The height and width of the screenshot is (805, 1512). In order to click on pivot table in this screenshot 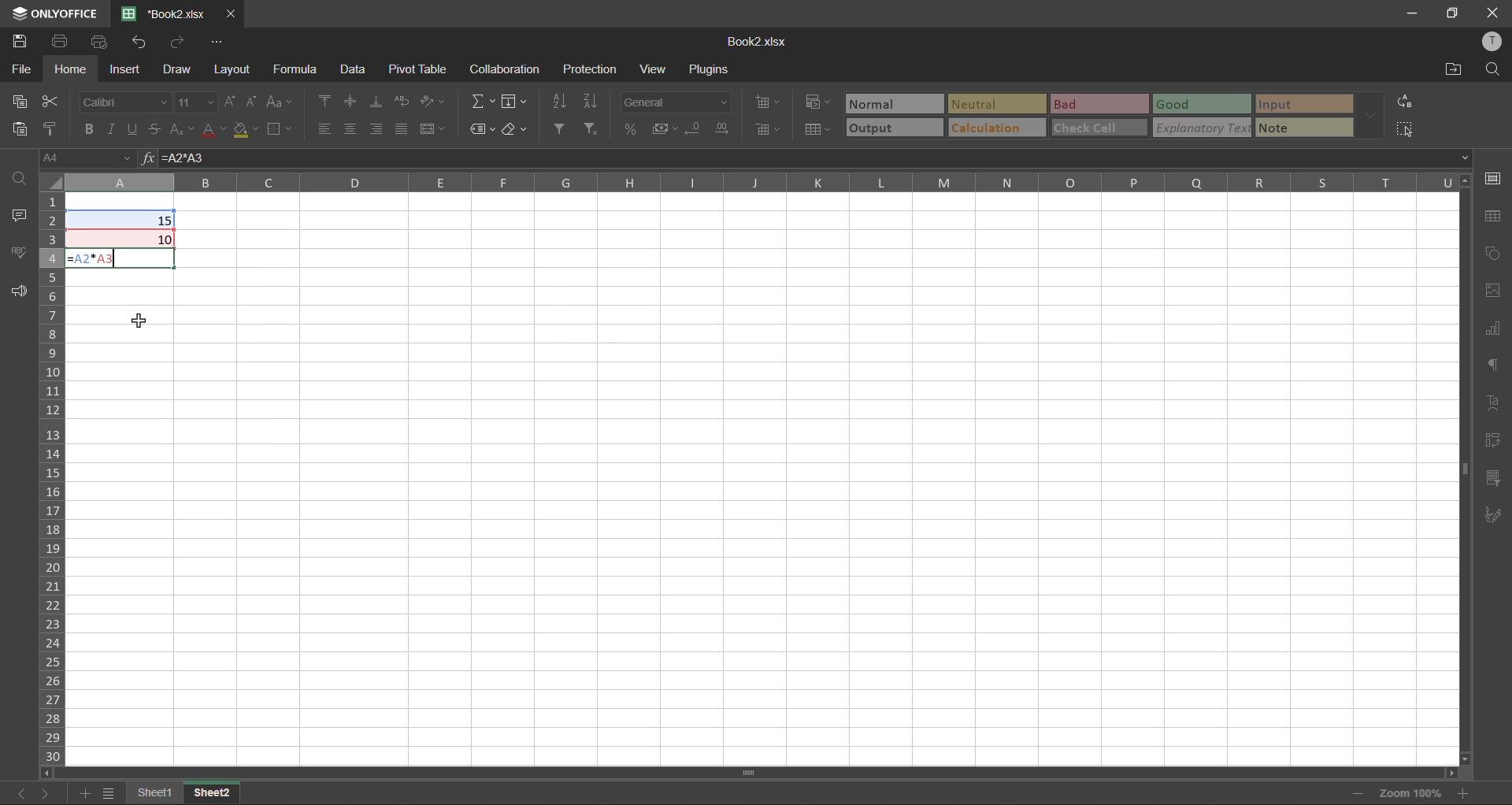, I will do `click(414, 68)`.